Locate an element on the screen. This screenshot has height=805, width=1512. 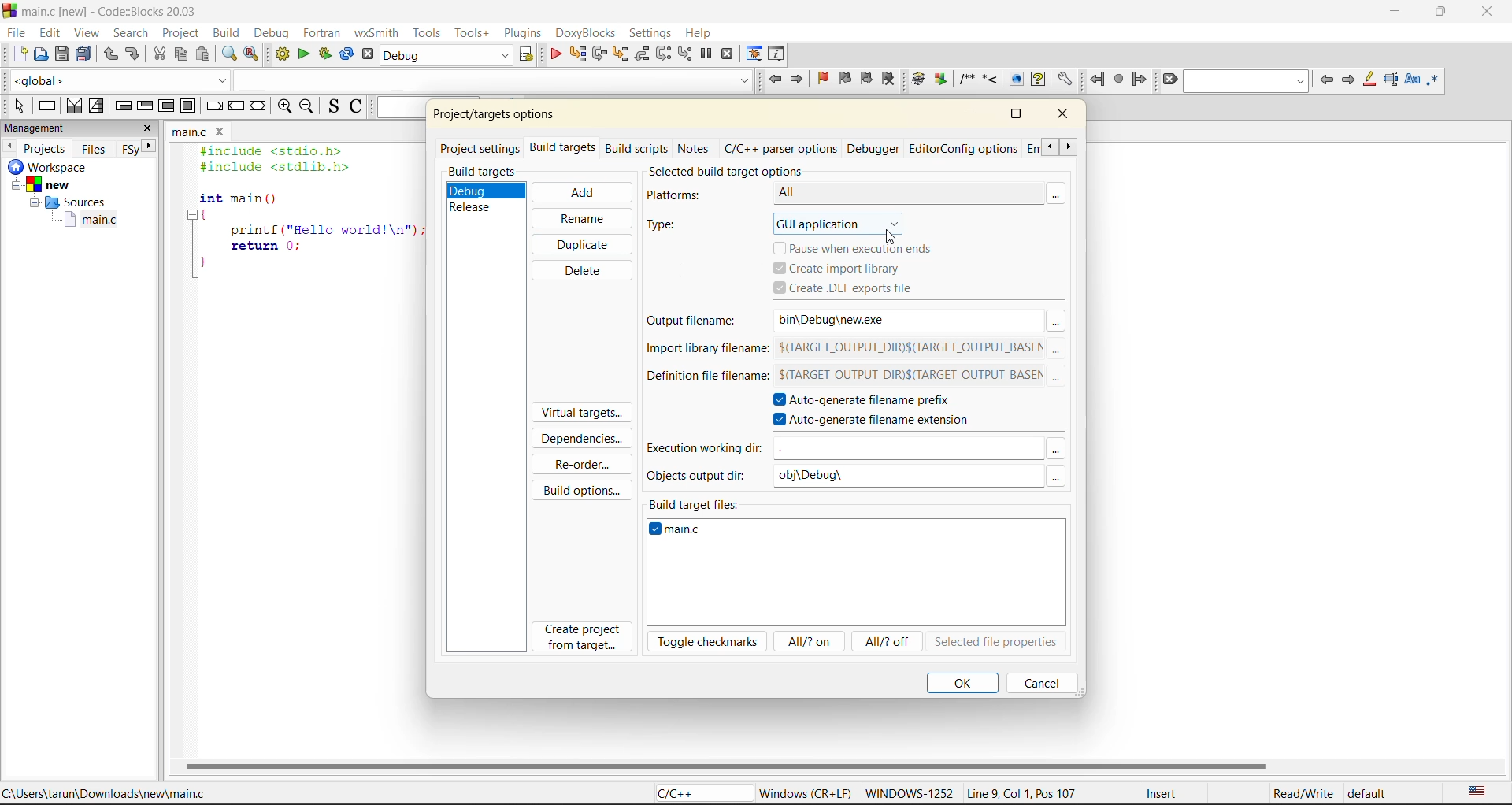
prev bookmark is located at coordinates (845, 80).